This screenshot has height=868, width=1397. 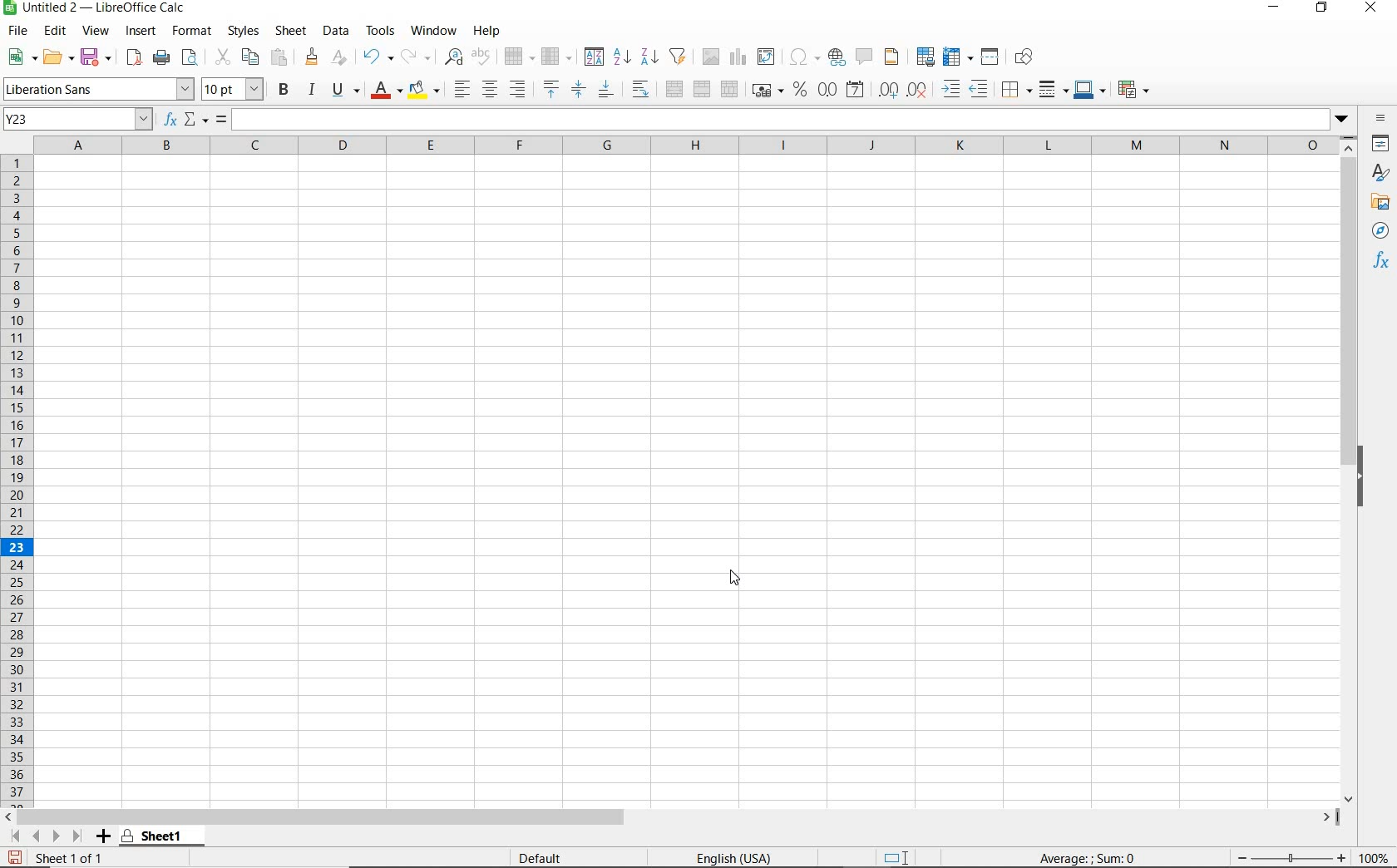 What do you see at coordinates (16, 31) in the screenshot?
I see `FILE` at bounding box center [16, 31].